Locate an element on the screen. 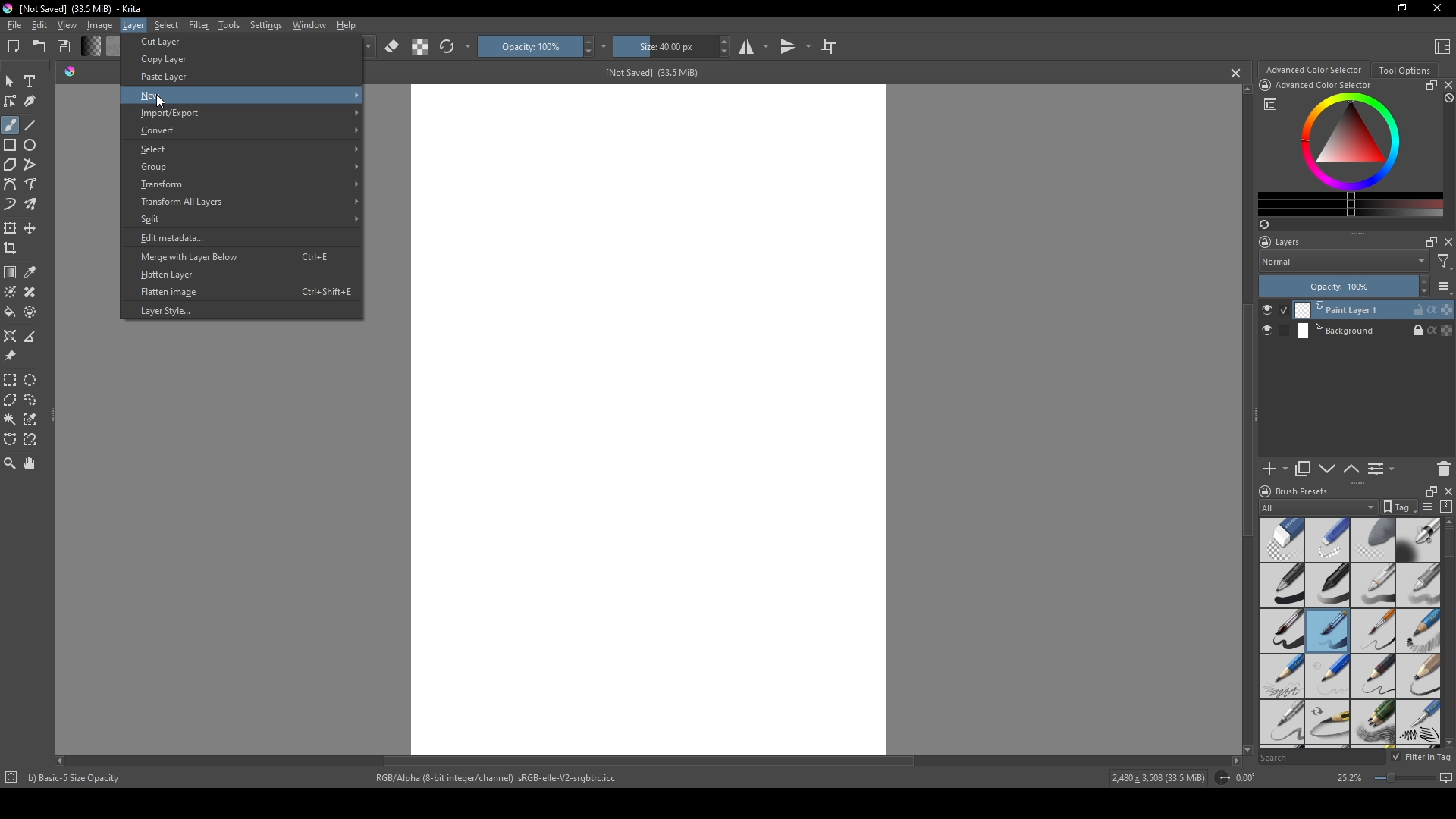 The width and height of the screenshot is (1456, 819). Cut Layer is located at coordinates (161, 42).